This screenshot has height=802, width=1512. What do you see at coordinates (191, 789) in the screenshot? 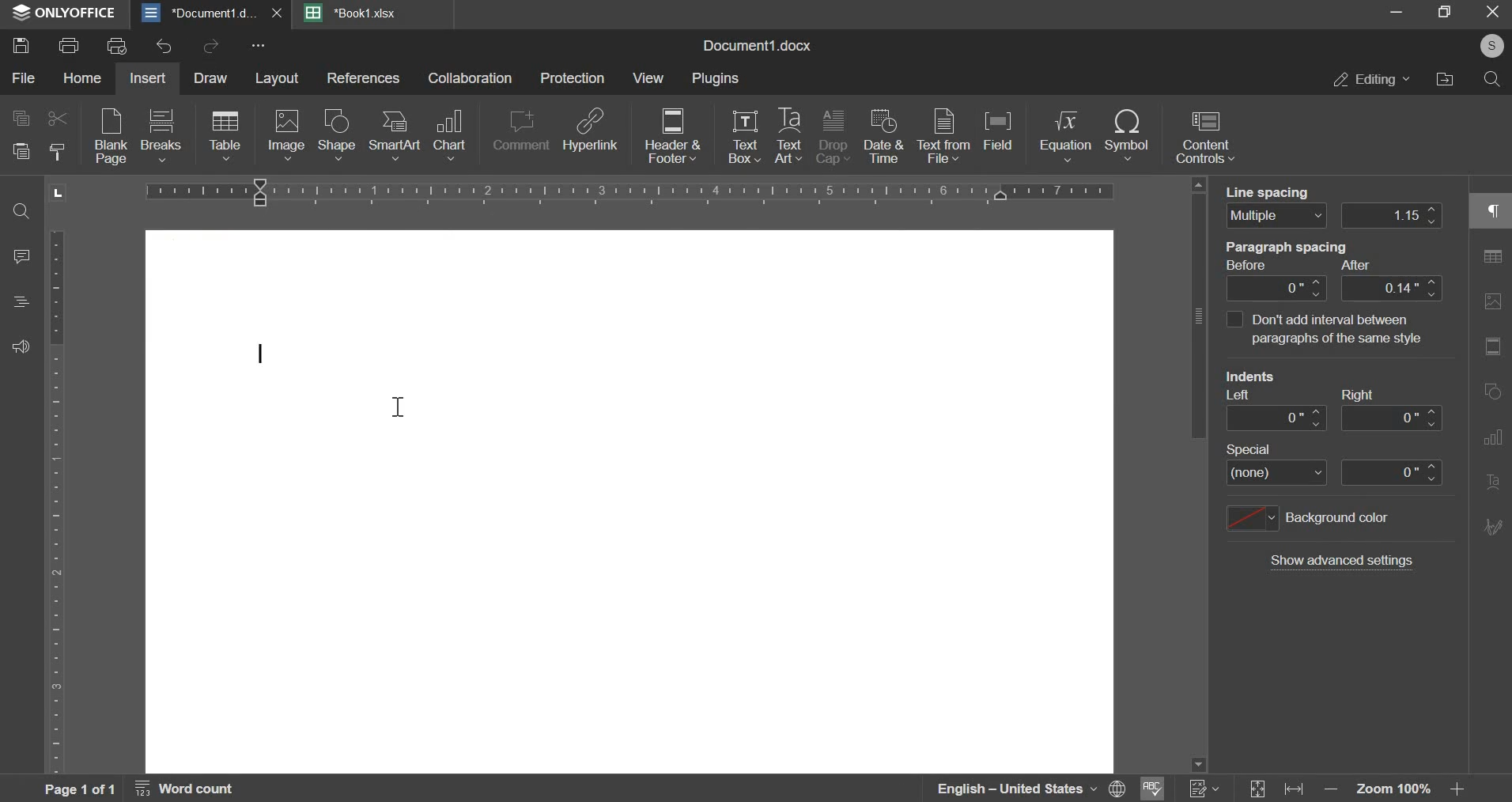
I see `word count` at bounding box center [191, 789].